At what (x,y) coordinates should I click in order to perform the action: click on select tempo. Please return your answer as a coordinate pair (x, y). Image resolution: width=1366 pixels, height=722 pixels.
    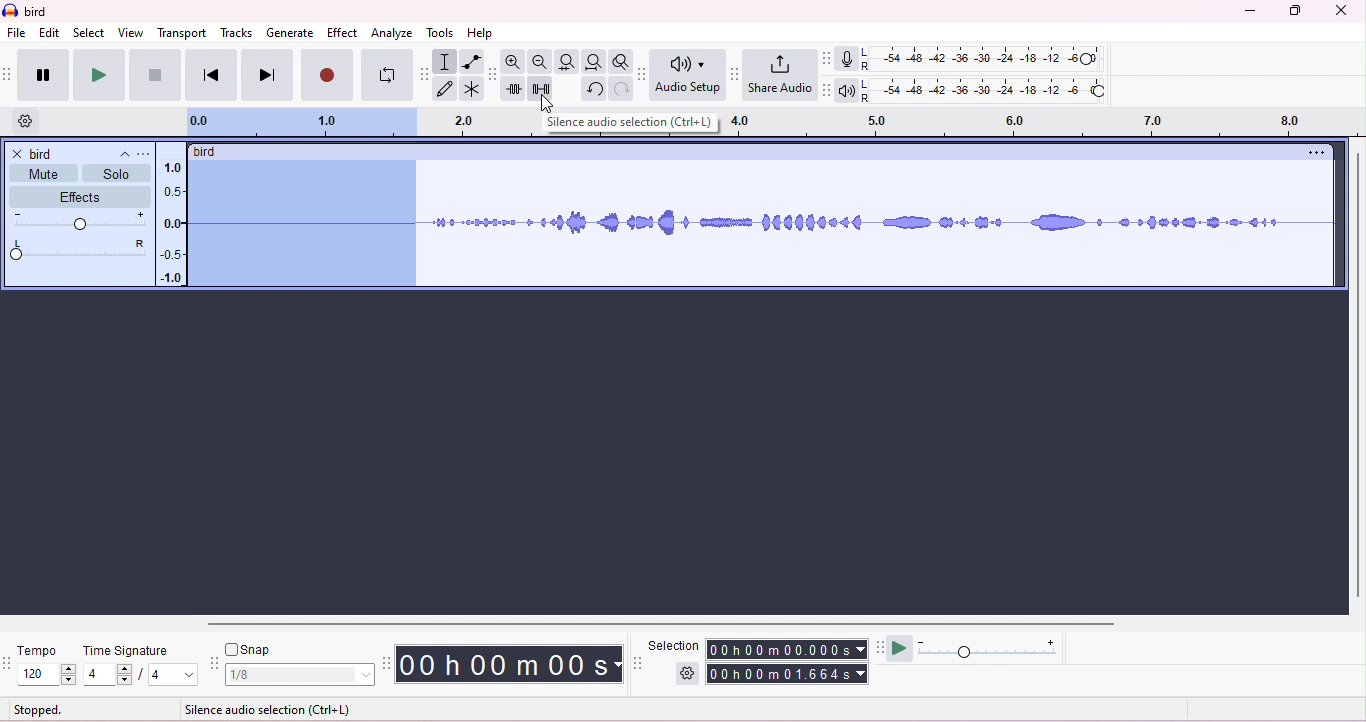
    Looking at the image, I should click on (48, 676).